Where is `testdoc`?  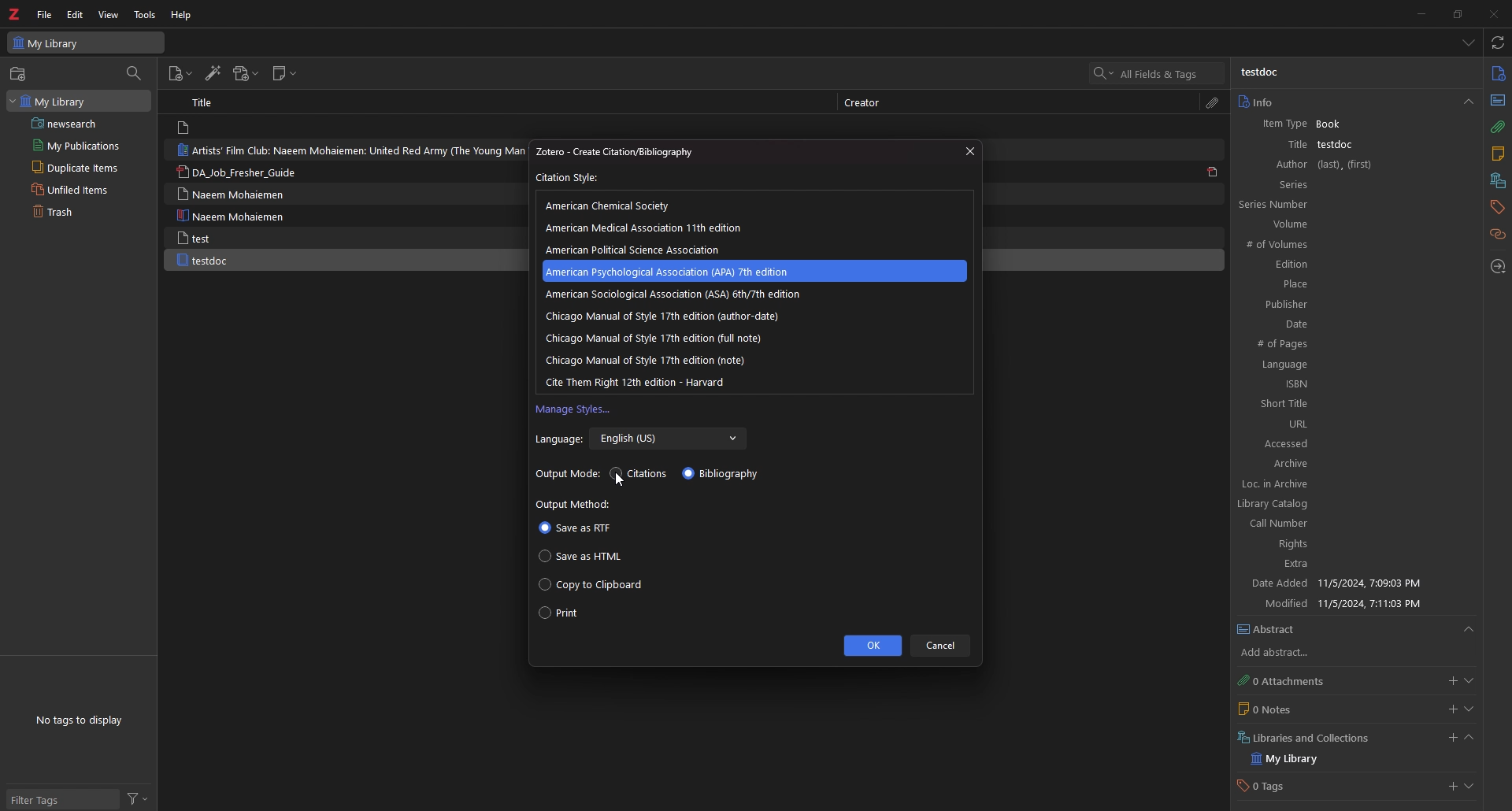
testdoc is located at coordinates (1262, 72).